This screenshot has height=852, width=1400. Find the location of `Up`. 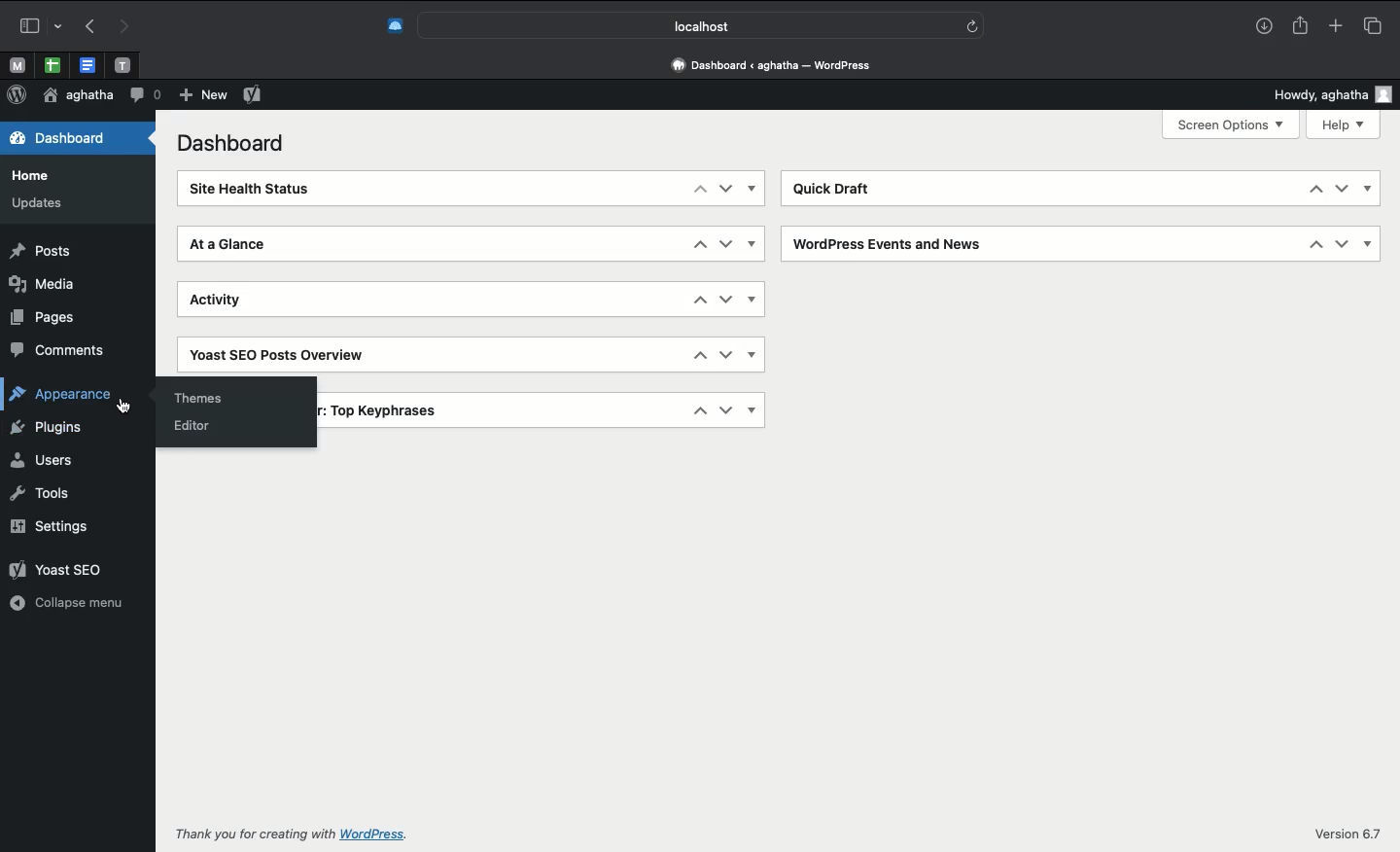

Up is located at coordinates (699, 188).